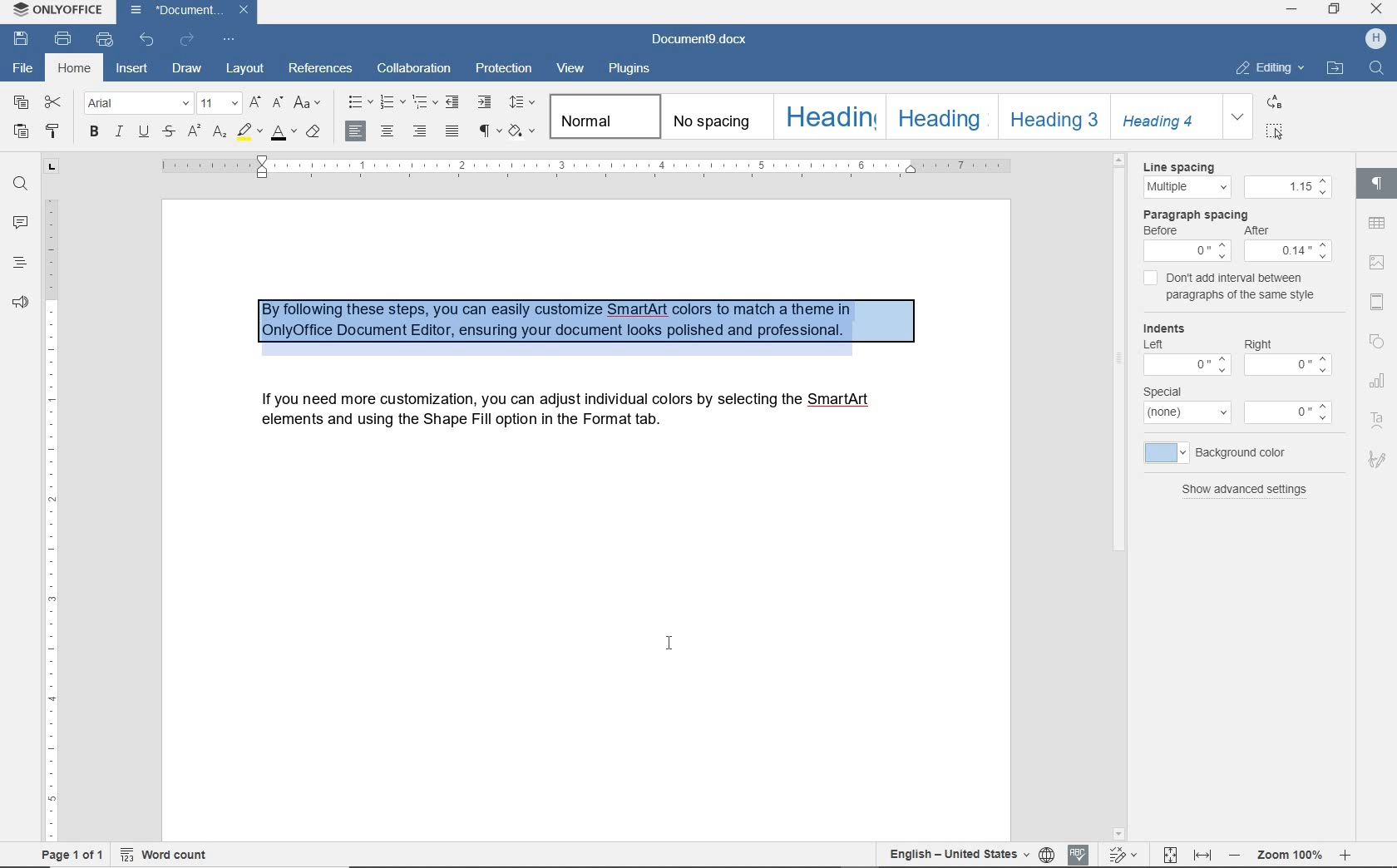 This screenshot has width=1397, height=868. What do you see at coordinates (229, 39) in the screenshot?
I see `customize quick access toolbar` at bounding box center [229, 39].